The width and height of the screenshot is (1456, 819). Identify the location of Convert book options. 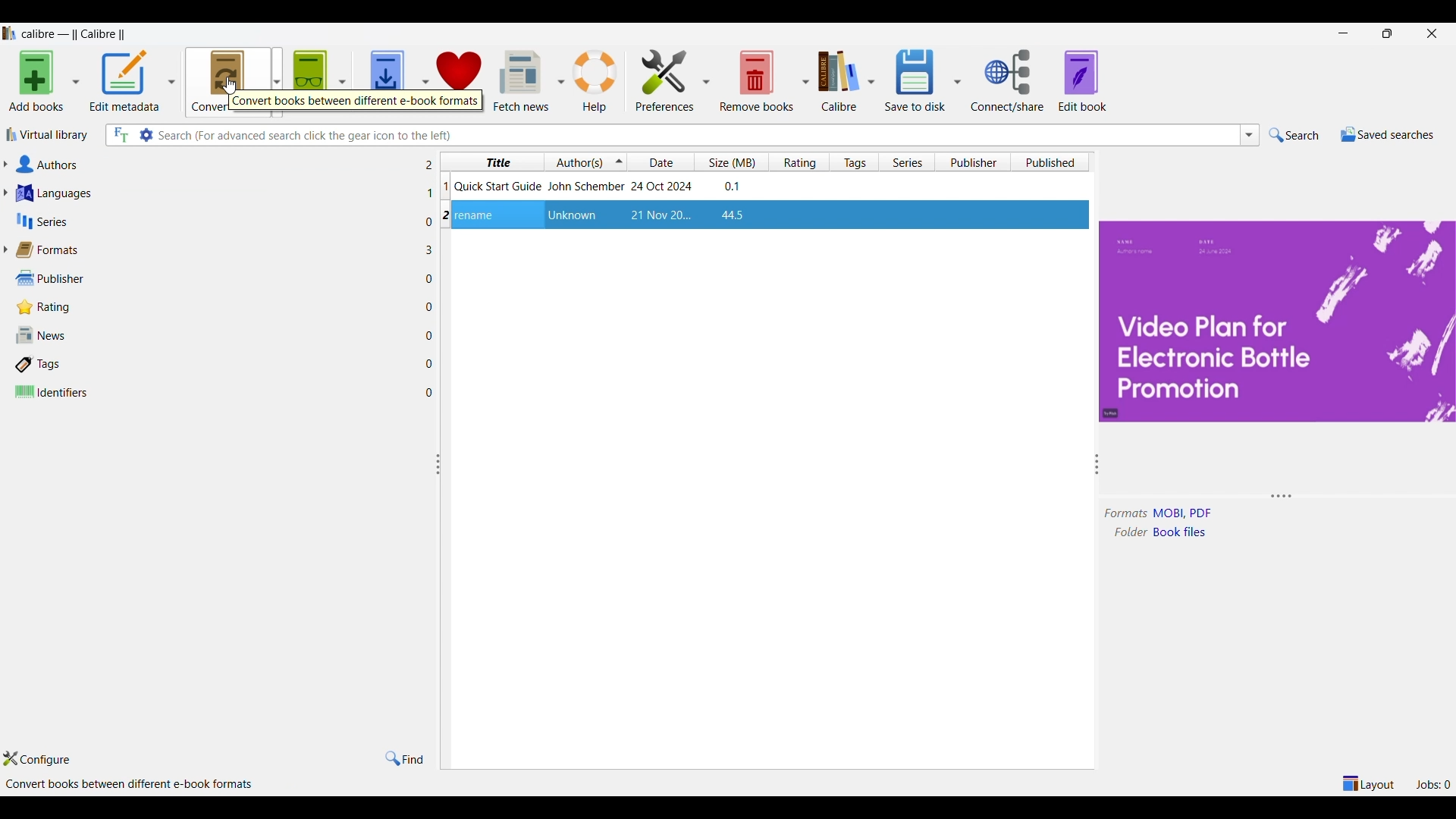
(276, 80).